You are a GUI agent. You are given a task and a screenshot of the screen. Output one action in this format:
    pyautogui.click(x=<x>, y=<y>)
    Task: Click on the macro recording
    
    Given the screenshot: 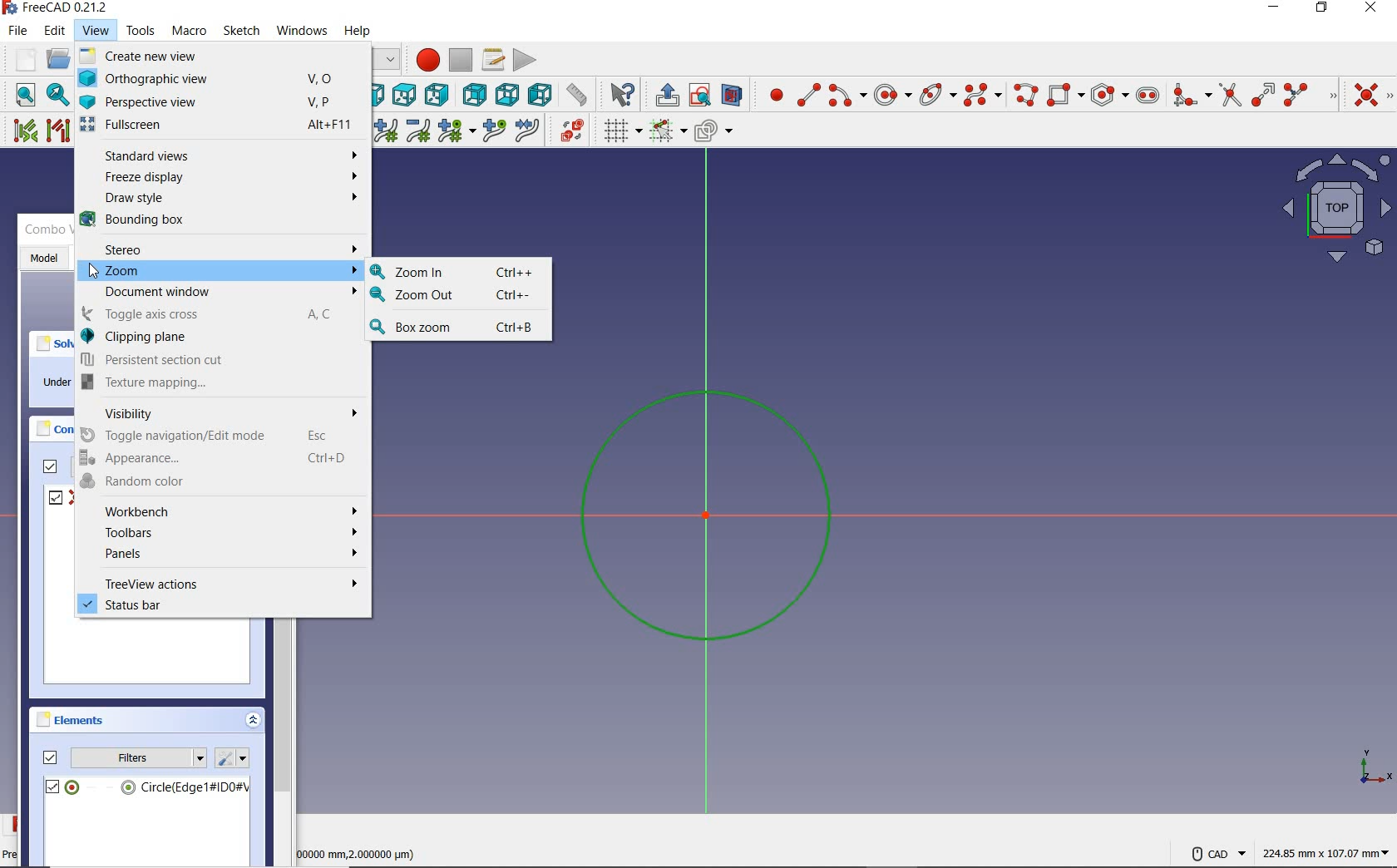 What is the action you would take?
    pyautogui.click(x=426, y=59)
    